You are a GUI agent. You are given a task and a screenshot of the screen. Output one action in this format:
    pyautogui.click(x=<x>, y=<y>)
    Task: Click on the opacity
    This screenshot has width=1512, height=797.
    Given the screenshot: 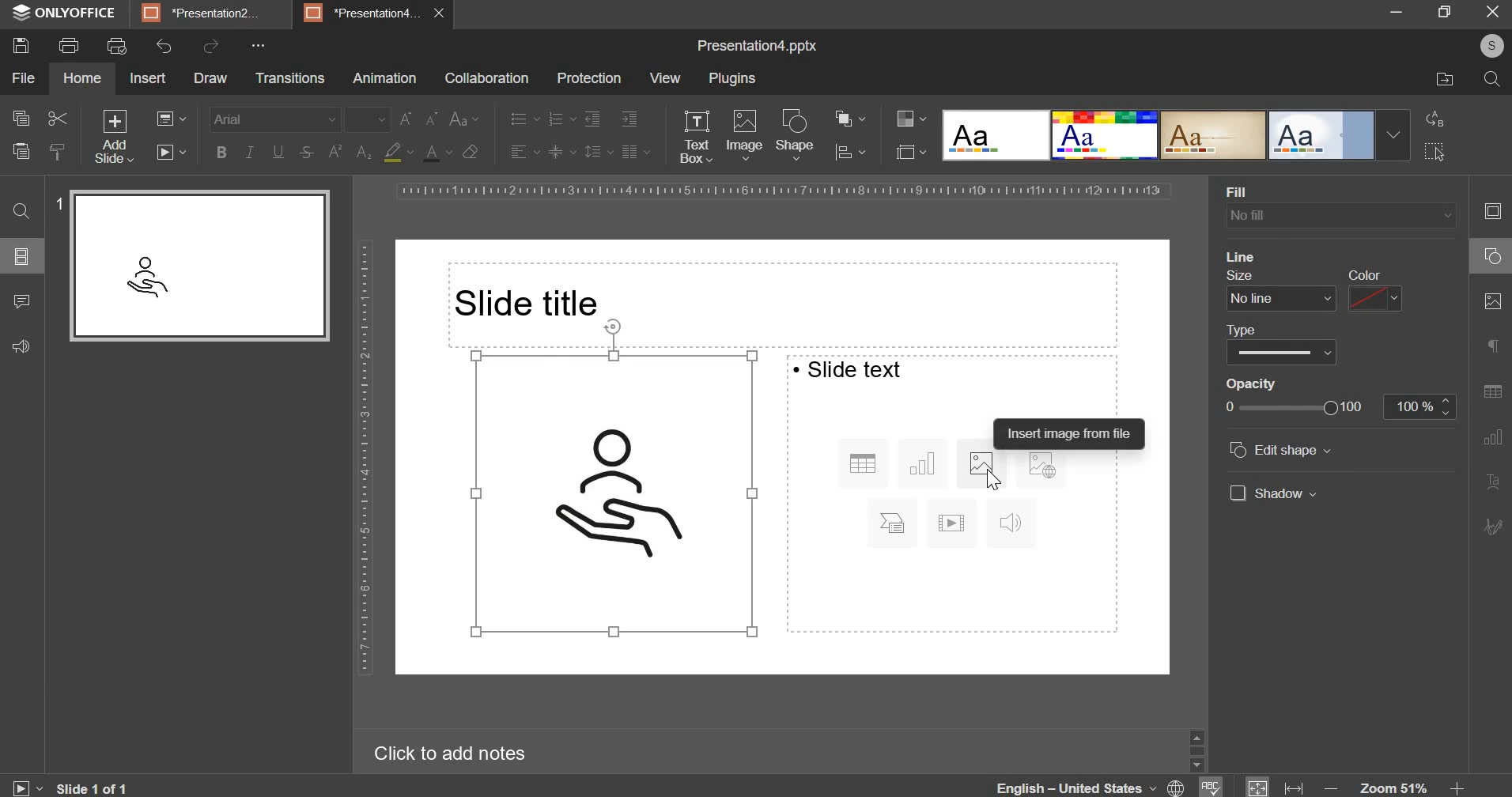 What is the action you would take?
    pyautogui.click(x=1422, y=408)
    